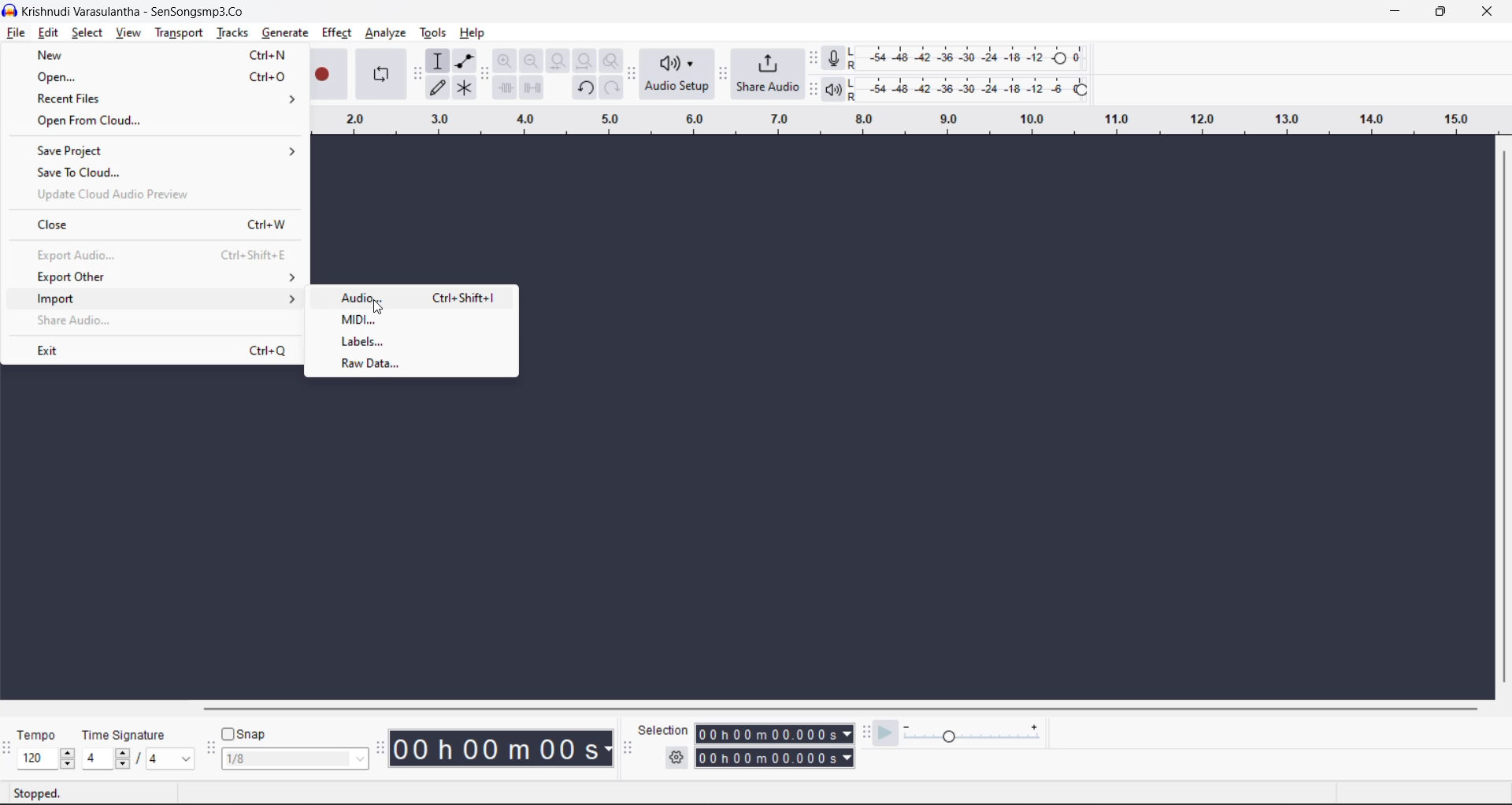 The image size is (1512, 805). Describe the element at coordinates (38, 791) in the screenshot. I see `playback status` at that location.